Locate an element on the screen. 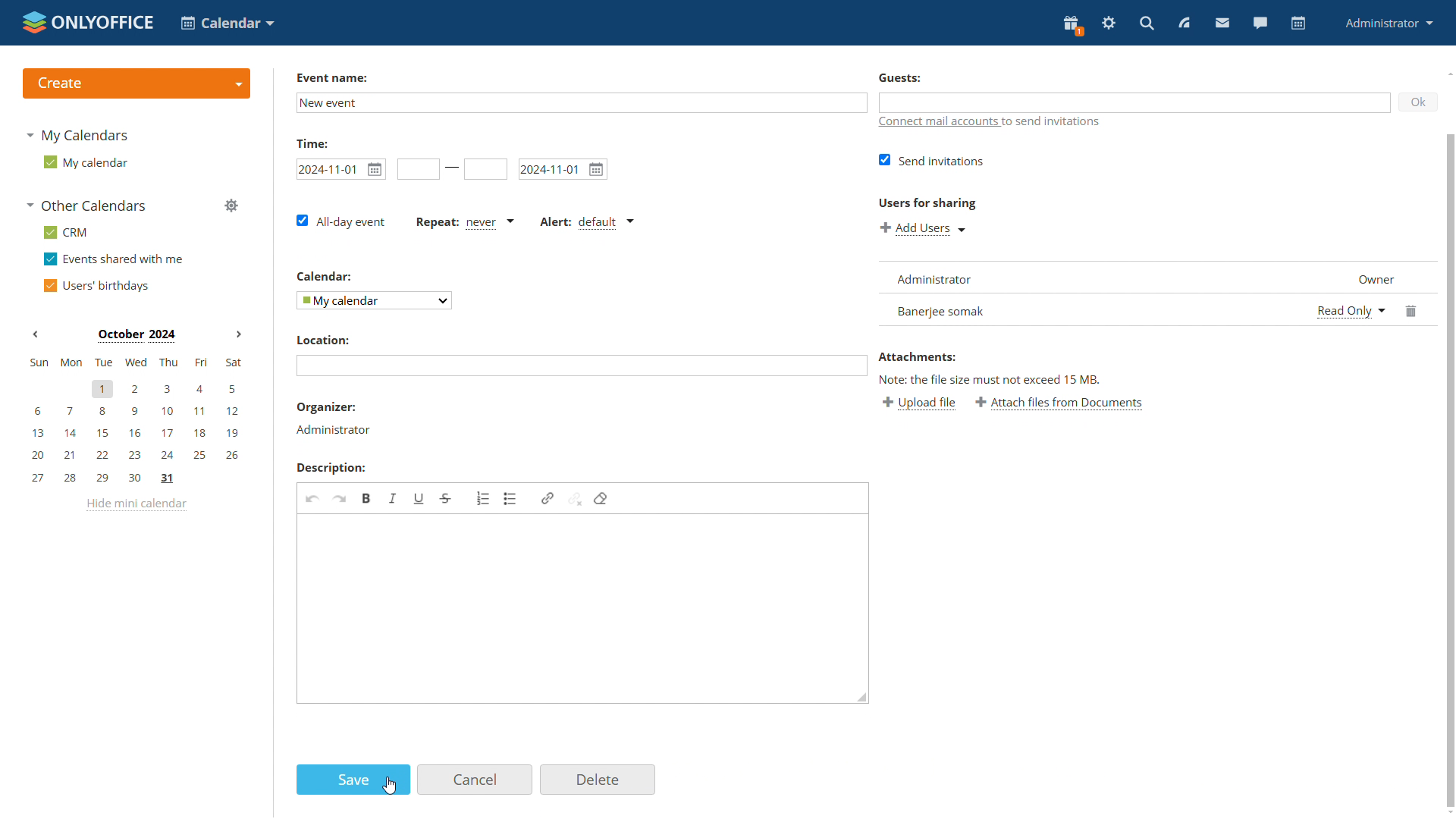 This screenshot has width=1456, height=819. cancel is located at coordinates (474, 780).